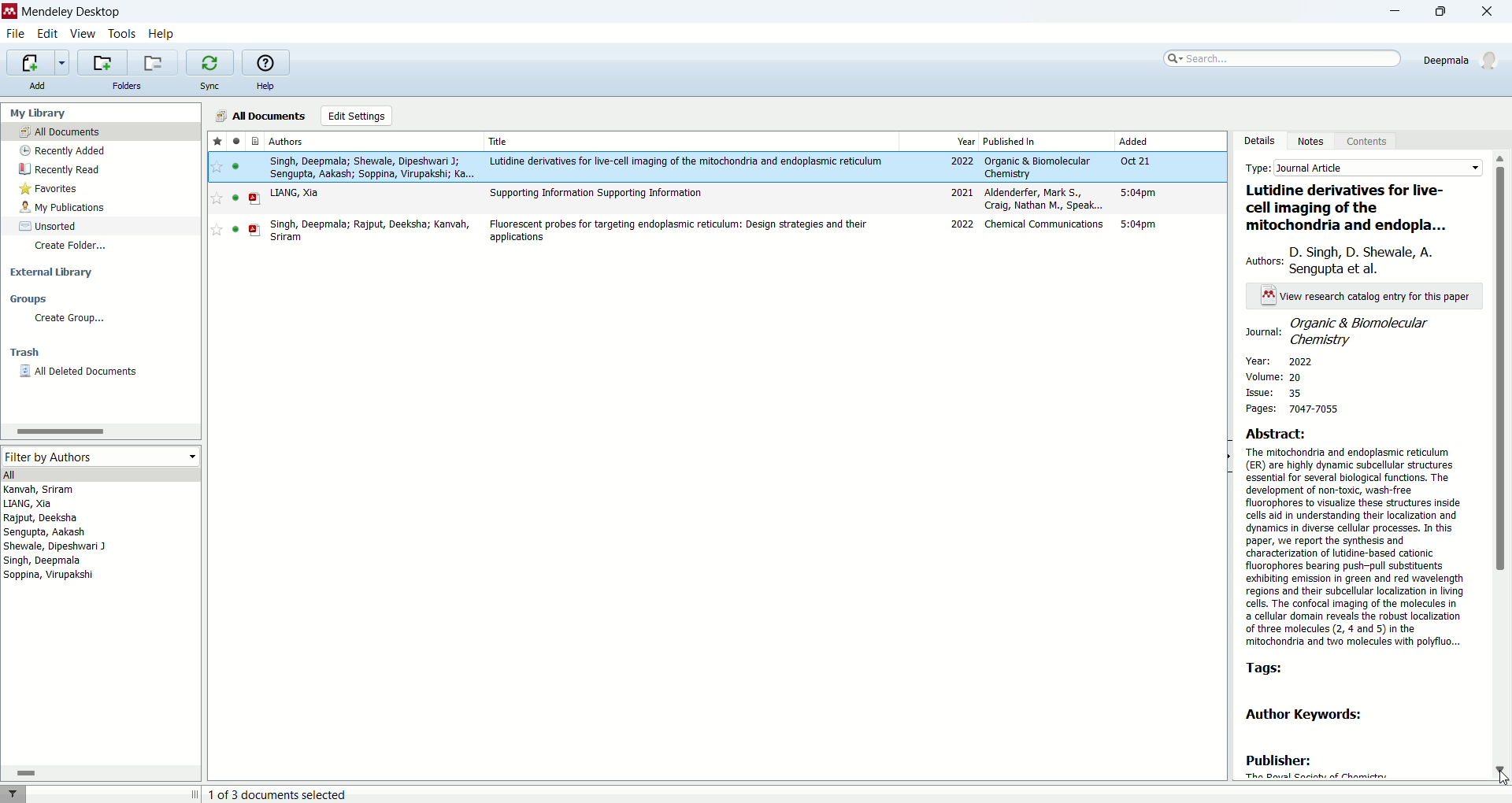 Image resolution: width=1512 pixels, height=803 pixels. Describe the element at coordinates (99, 431) in the screenshot. I see `horizontal scroll bar` at that location.